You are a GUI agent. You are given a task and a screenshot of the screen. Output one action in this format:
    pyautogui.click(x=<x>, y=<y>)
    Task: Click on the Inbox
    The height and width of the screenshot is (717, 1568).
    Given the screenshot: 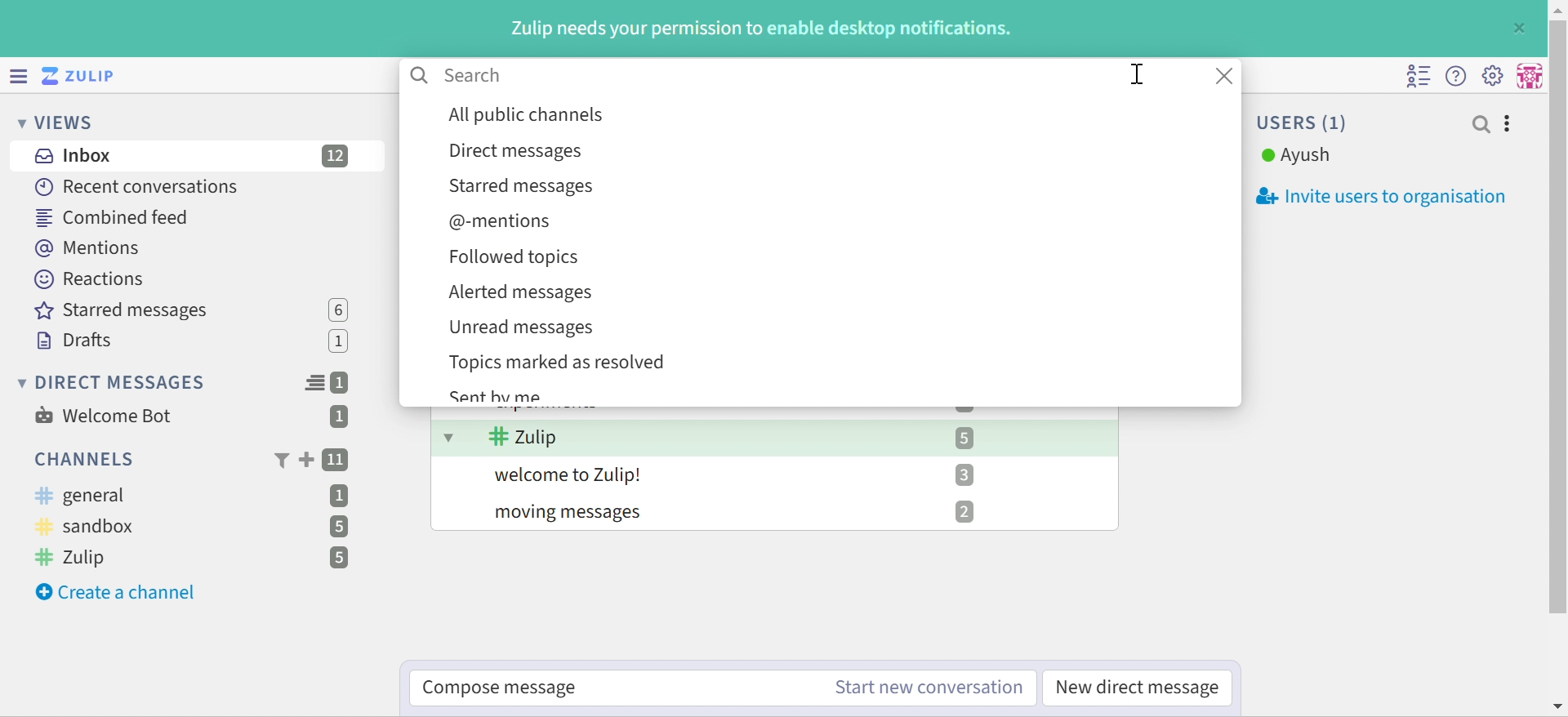 What is the action you would take?
    pyautogui.click(x=71, y=156)
    